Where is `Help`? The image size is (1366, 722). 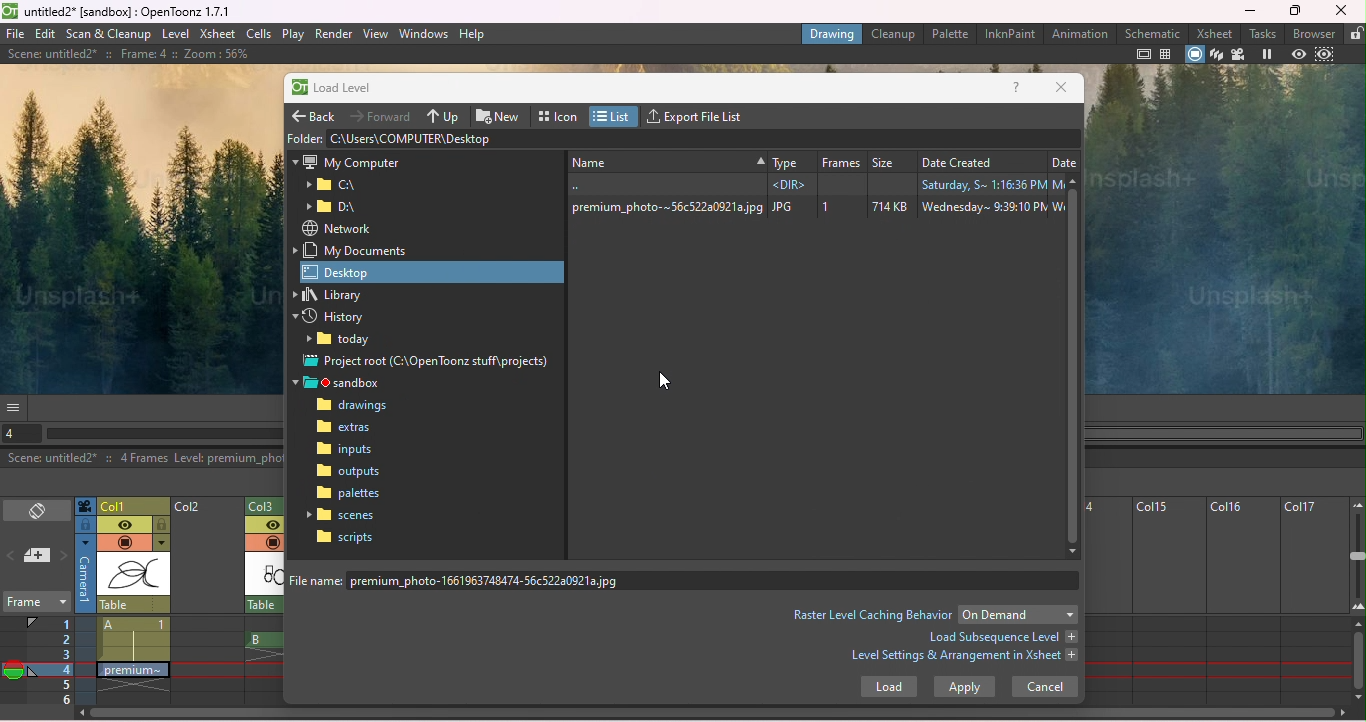
Help is located at coordinates (1017, 89).